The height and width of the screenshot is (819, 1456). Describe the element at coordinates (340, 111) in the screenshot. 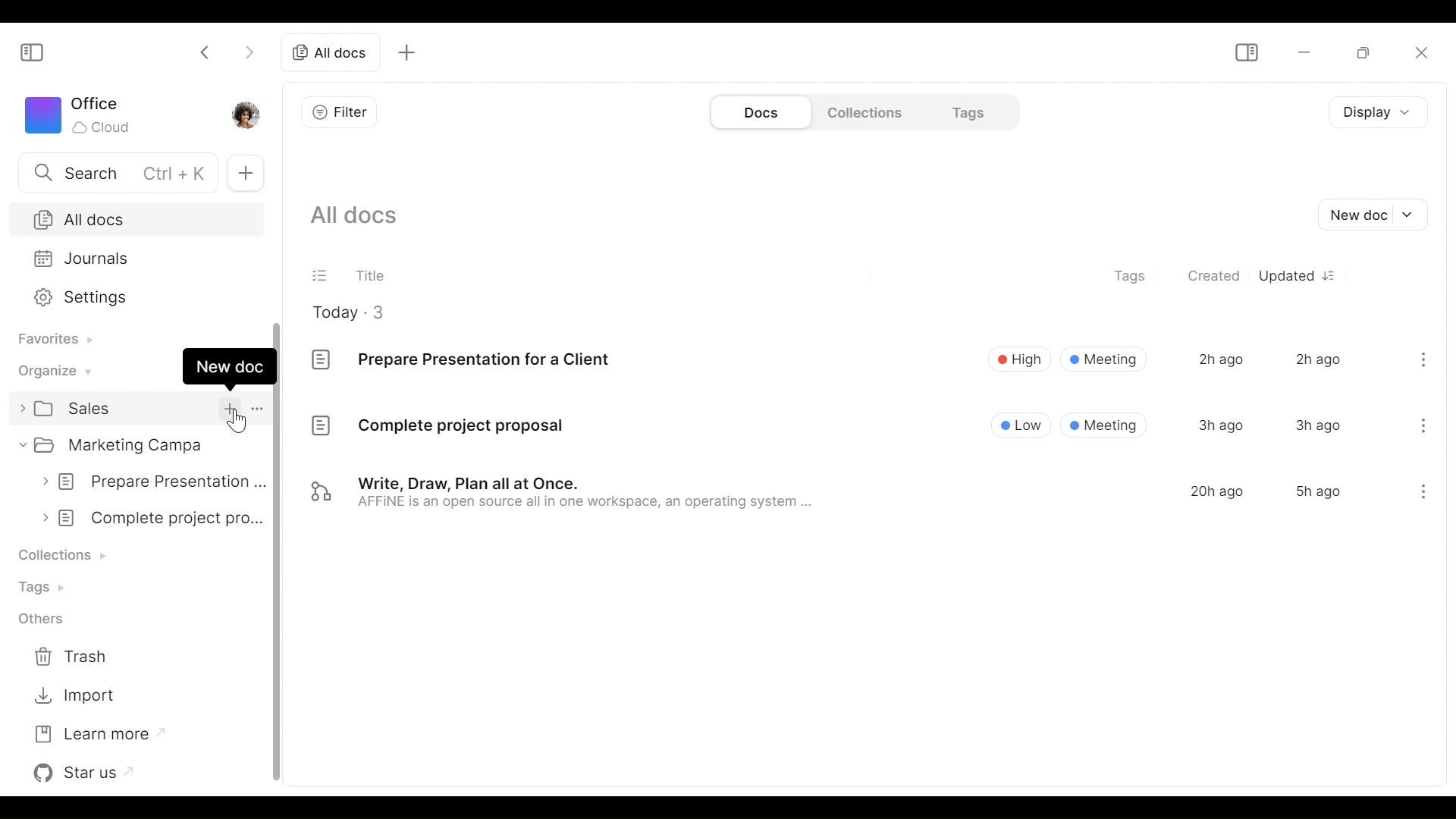

I see `Filter` at that location.